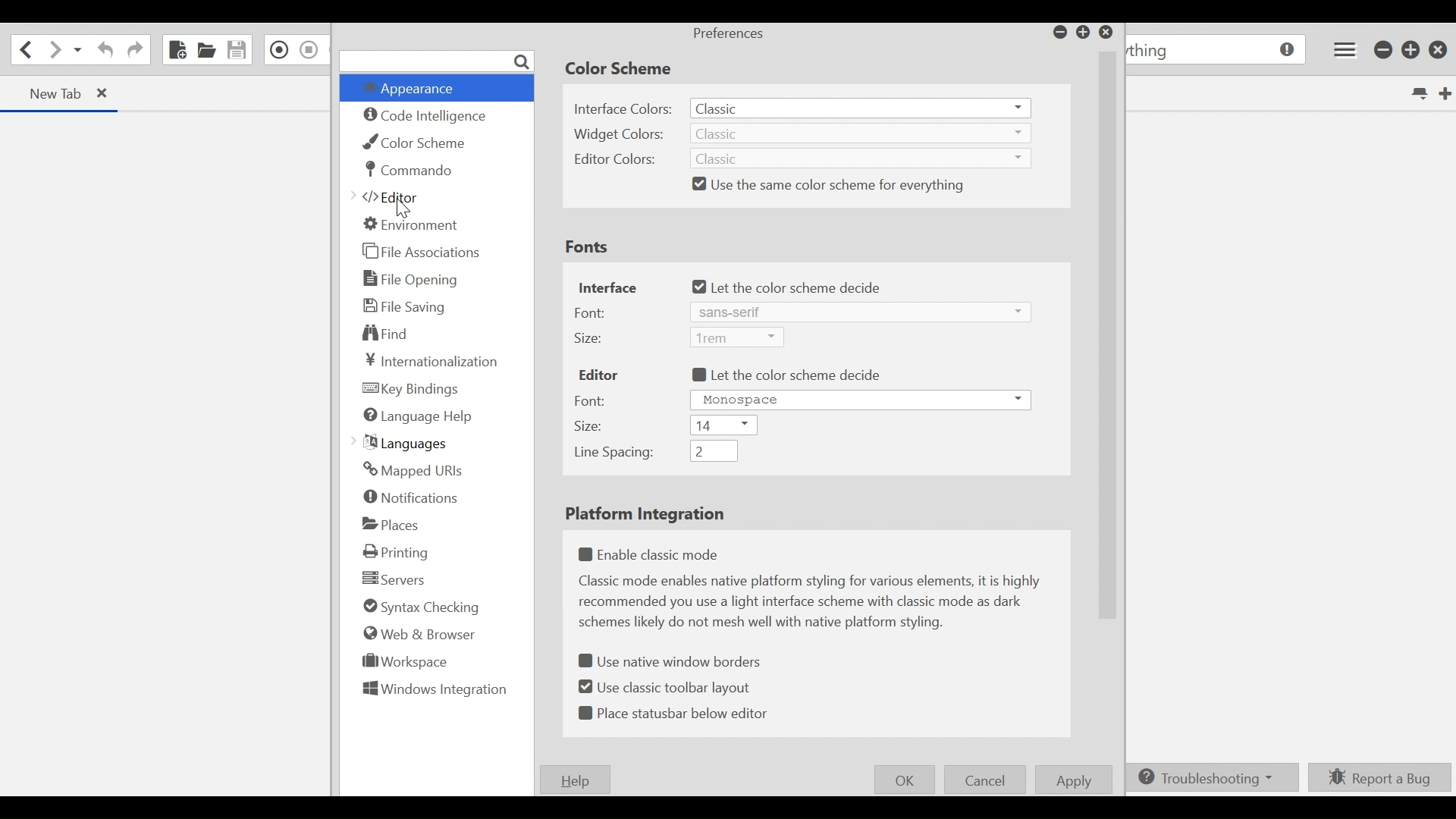  I want to click on (un)select statusbar below editor, so click(670, 714).